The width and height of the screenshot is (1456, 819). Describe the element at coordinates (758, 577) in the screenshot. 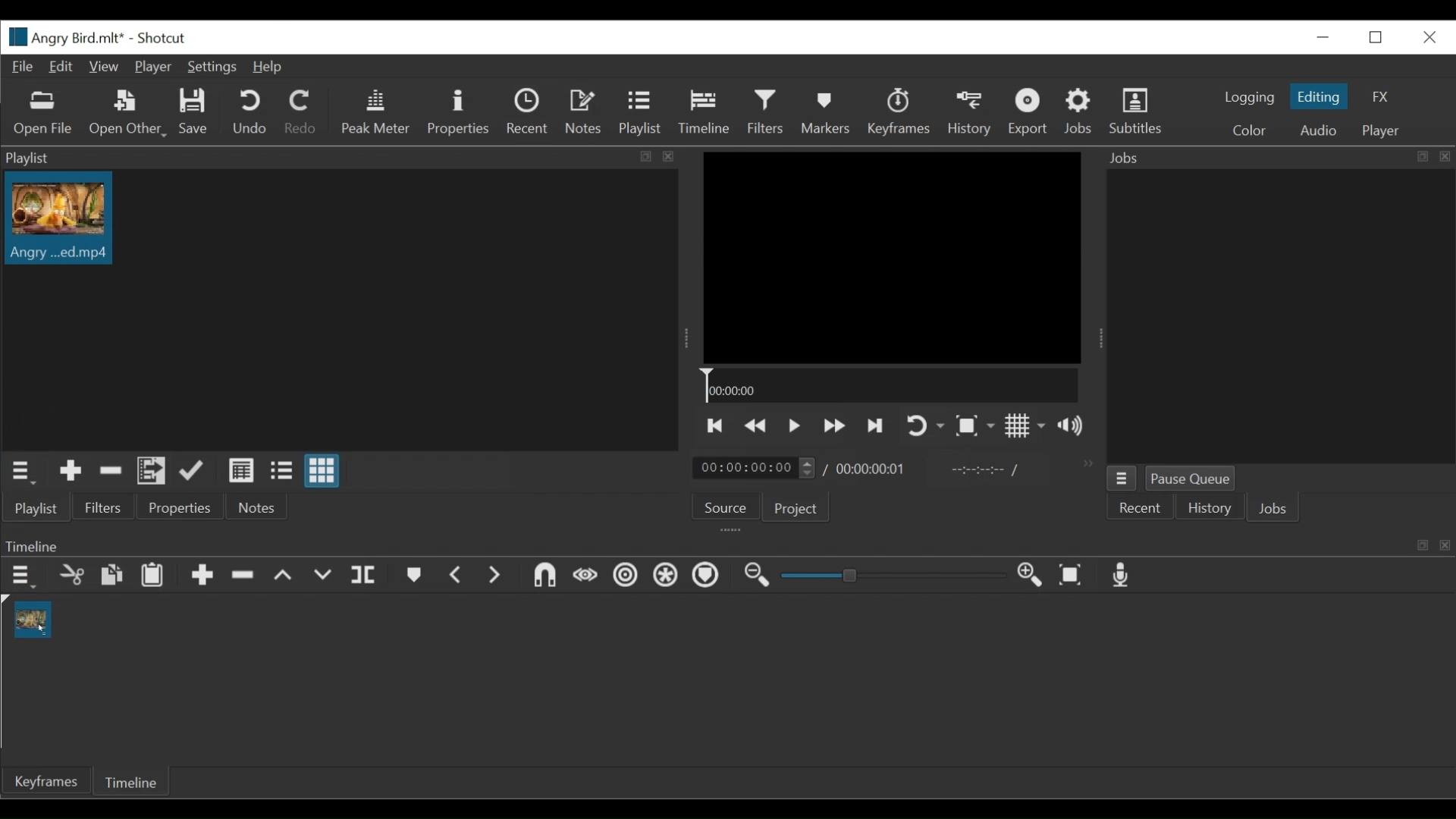

I see `Zoom out timeline` at that location.